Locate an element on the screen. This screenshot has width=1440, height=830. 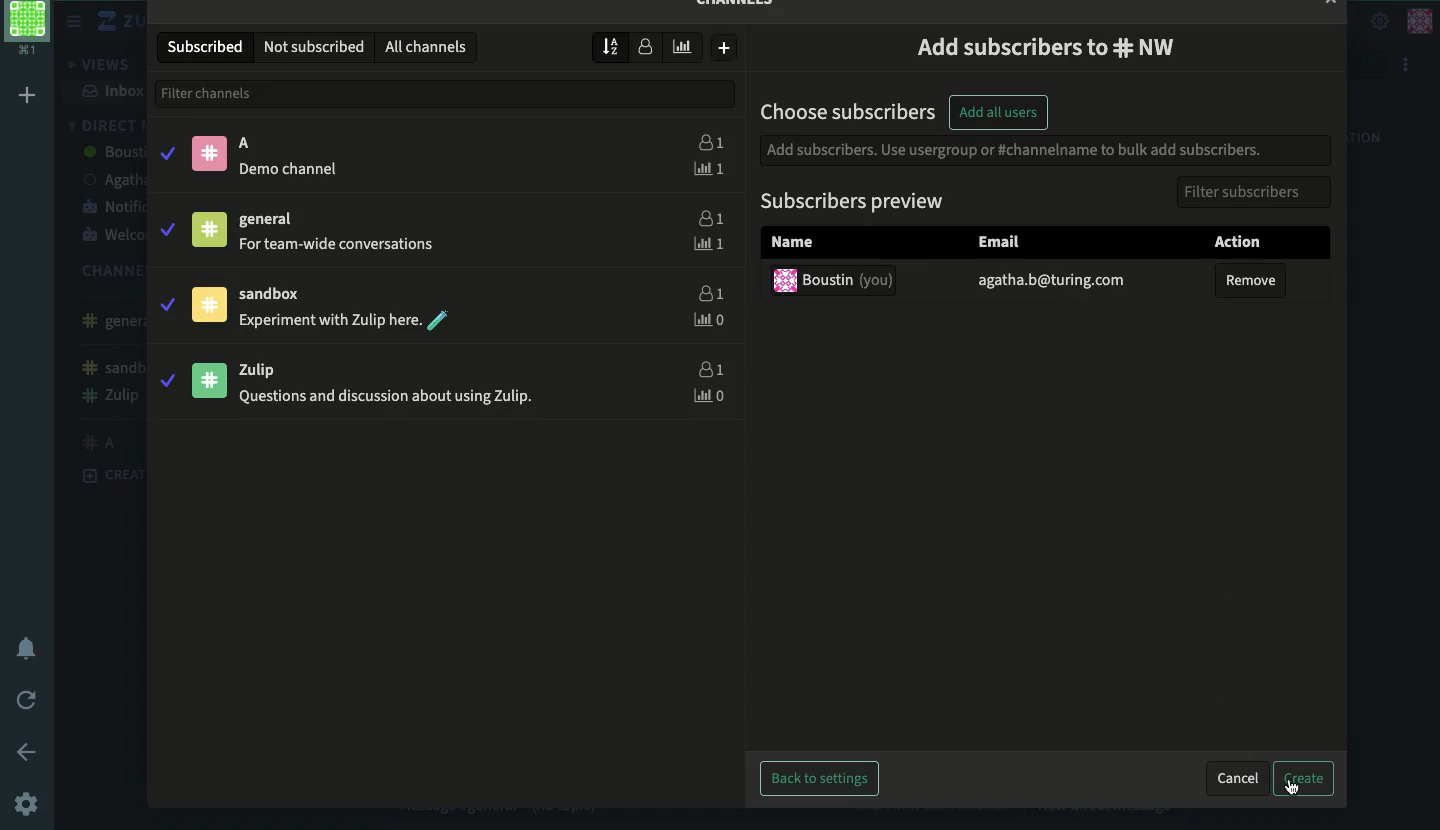
choose subscribers is located at coordinates (848, 109).